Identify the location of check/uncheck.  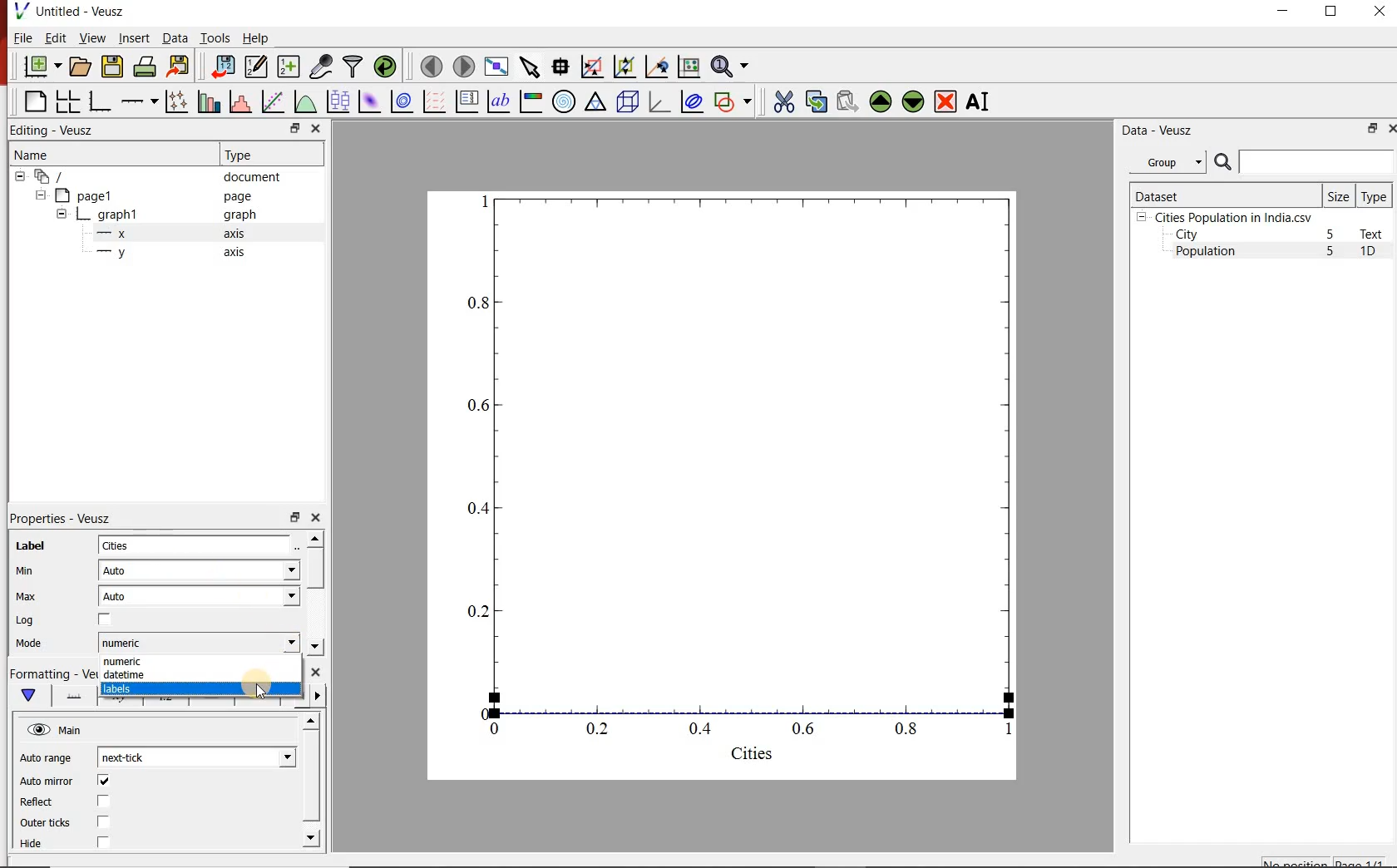
(103, 781).